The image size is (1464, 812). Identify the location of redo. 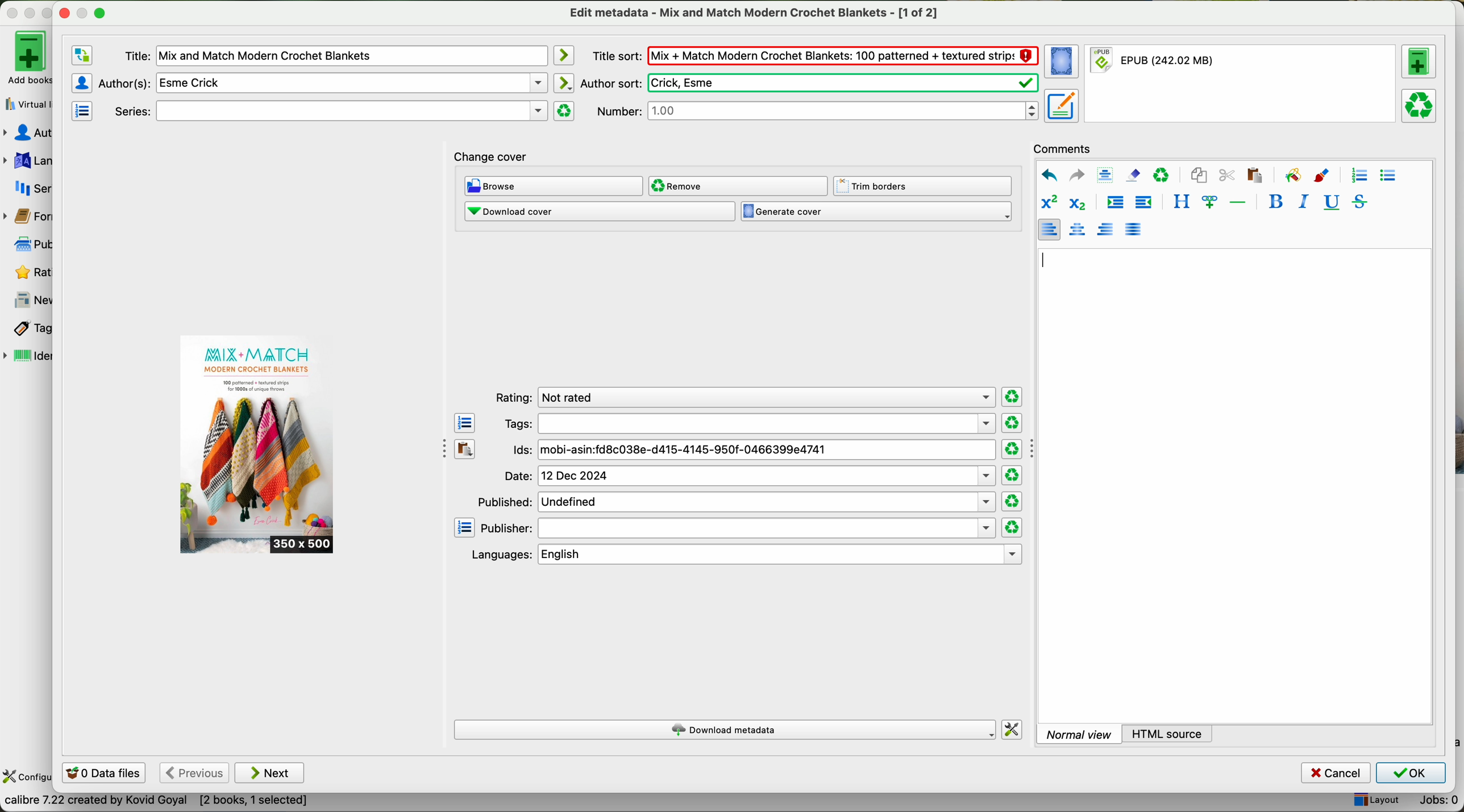
(1076, 174).